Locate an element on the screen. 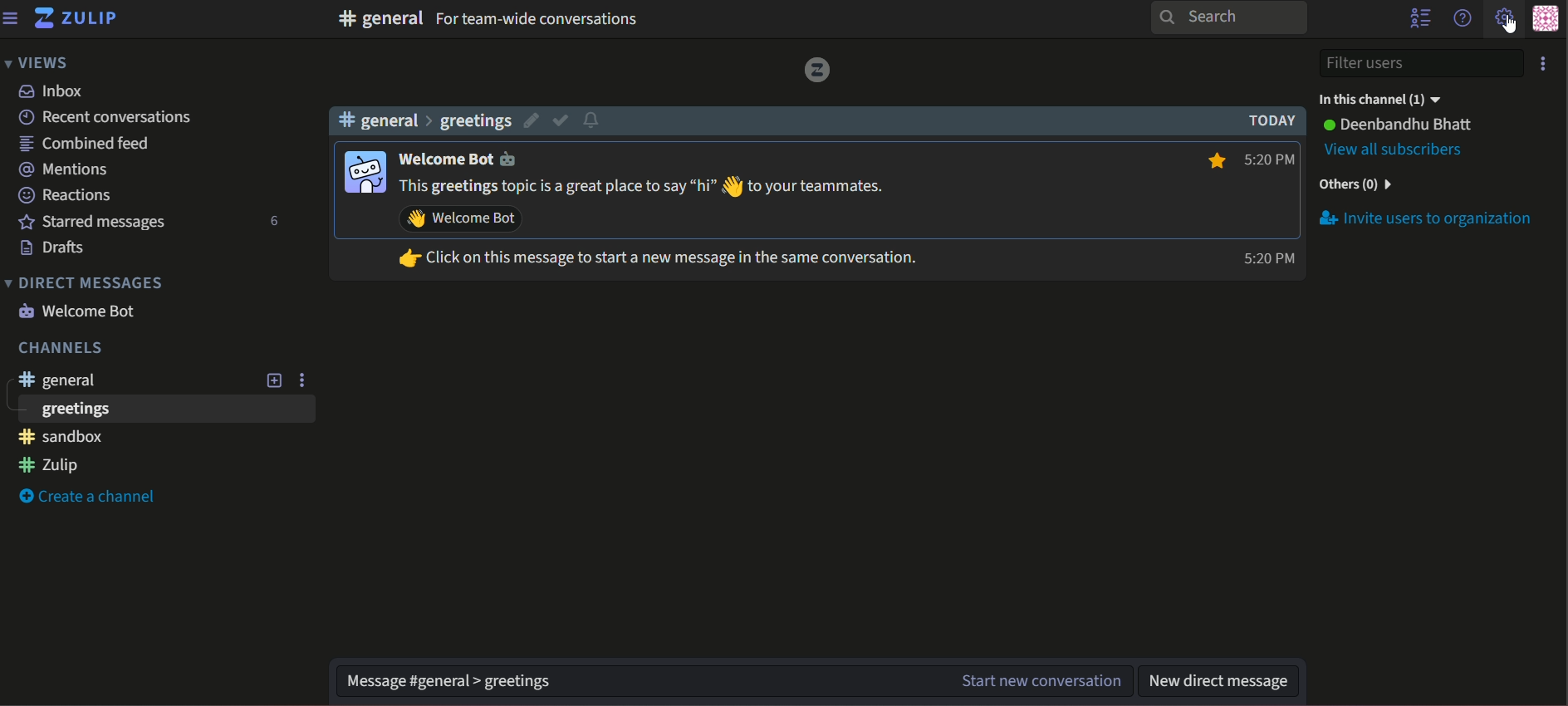 The height and width of the screenshot is (706, 1568). Drafts is located at coordinates (51, 249).